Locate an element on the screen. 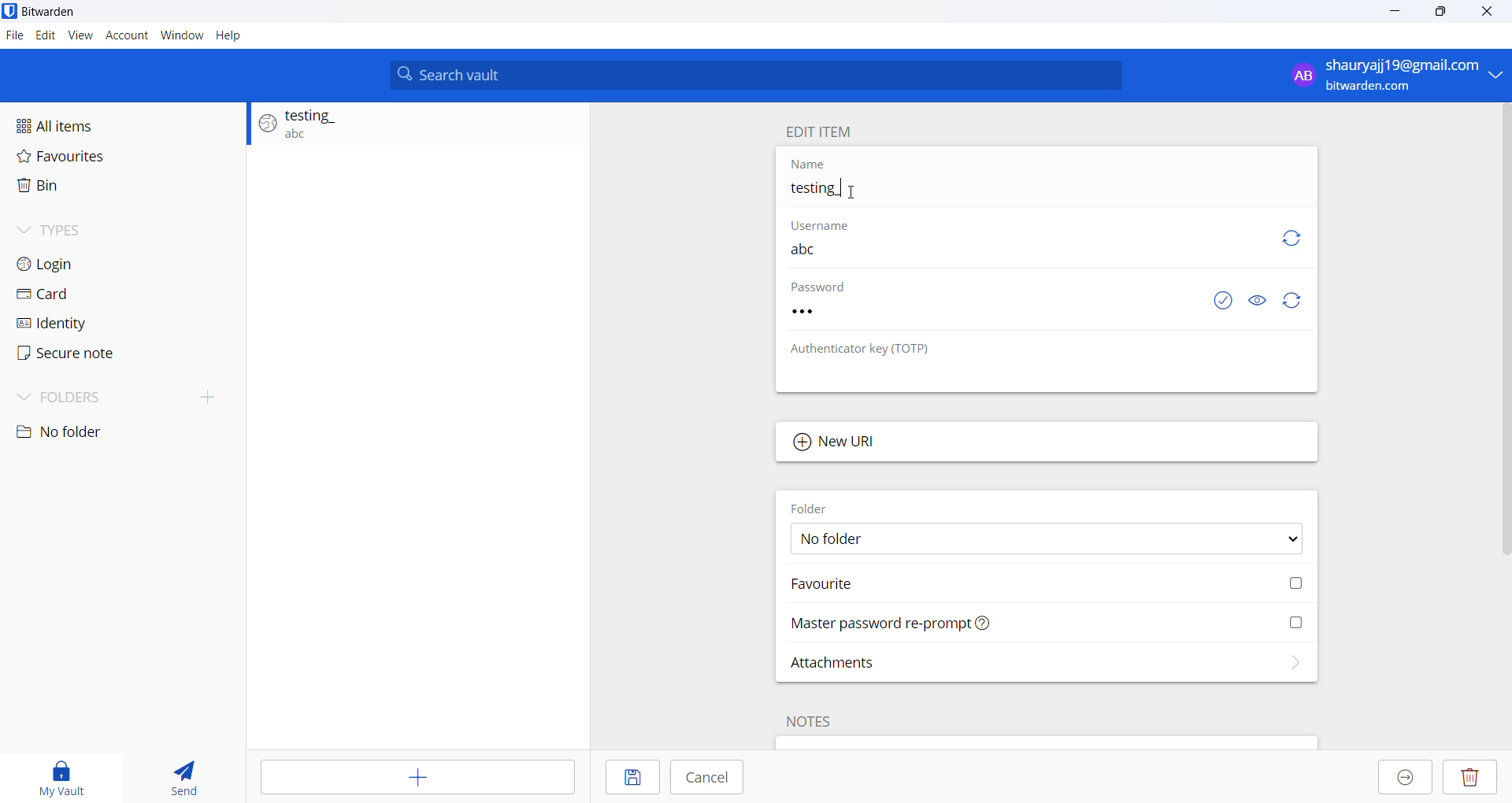 The height and width of the screenshot is (803, 1512). minimize is located at coordinates (1392, 17).